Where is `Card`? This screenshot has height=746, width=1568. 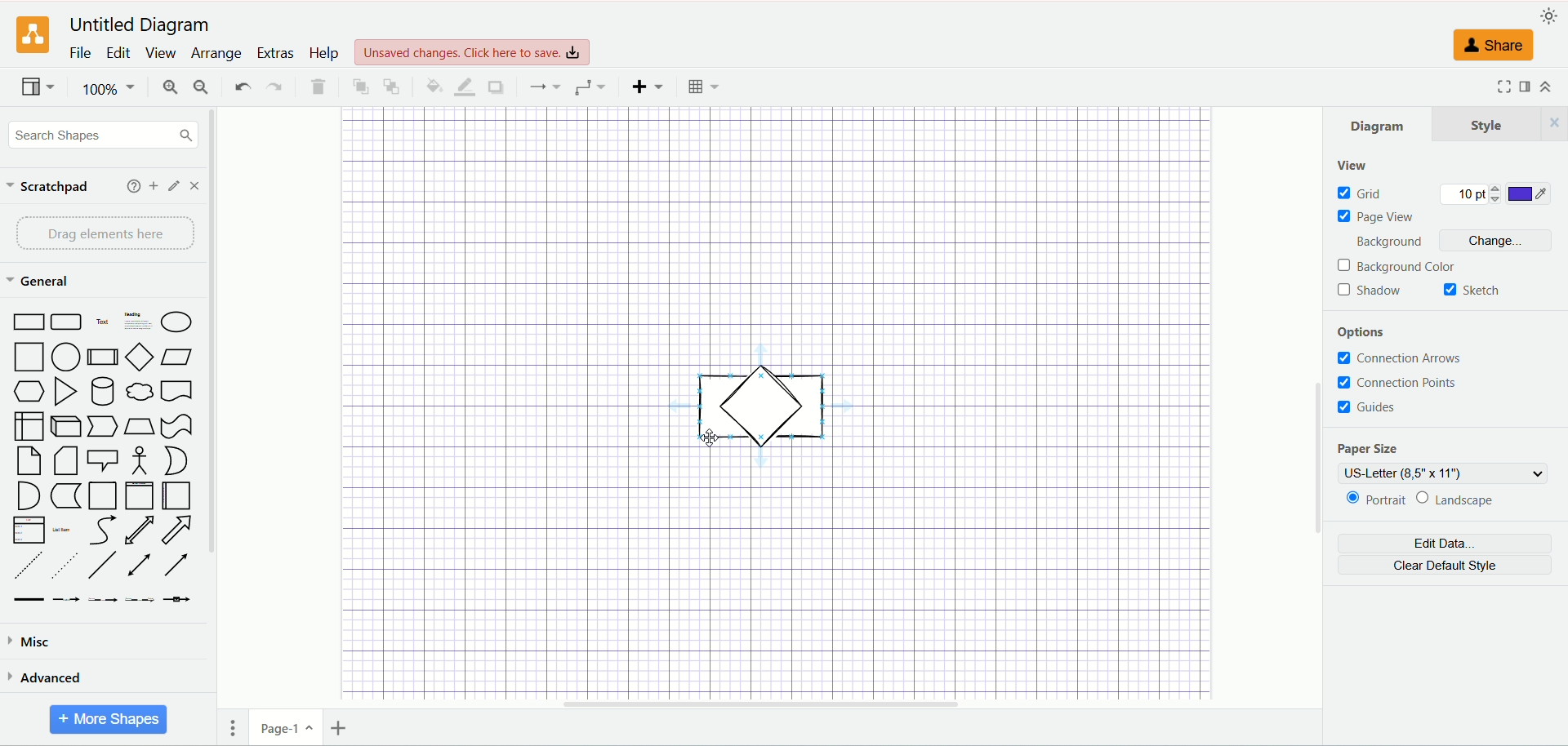 Card is located at coordinates (68, 461).